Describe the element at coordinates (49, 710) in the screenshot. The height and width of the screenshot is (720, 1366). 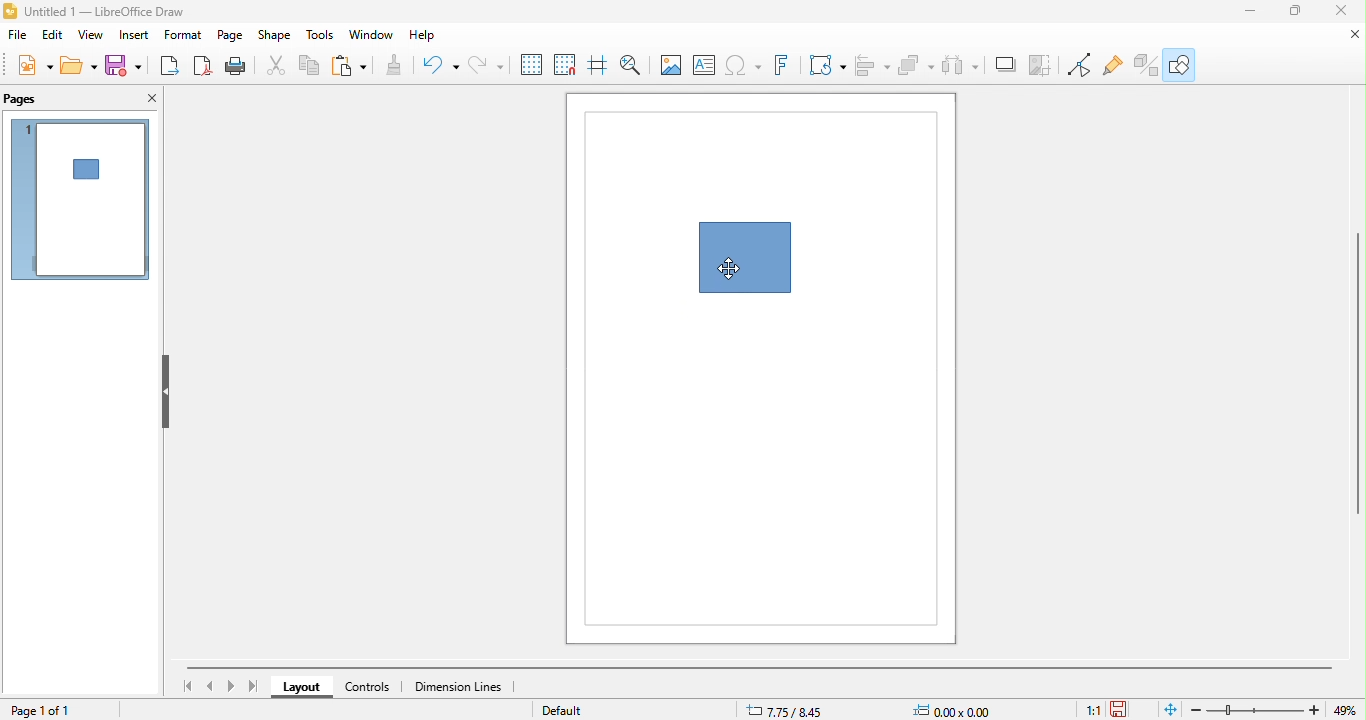
I see `page 1 of 1` at that location.